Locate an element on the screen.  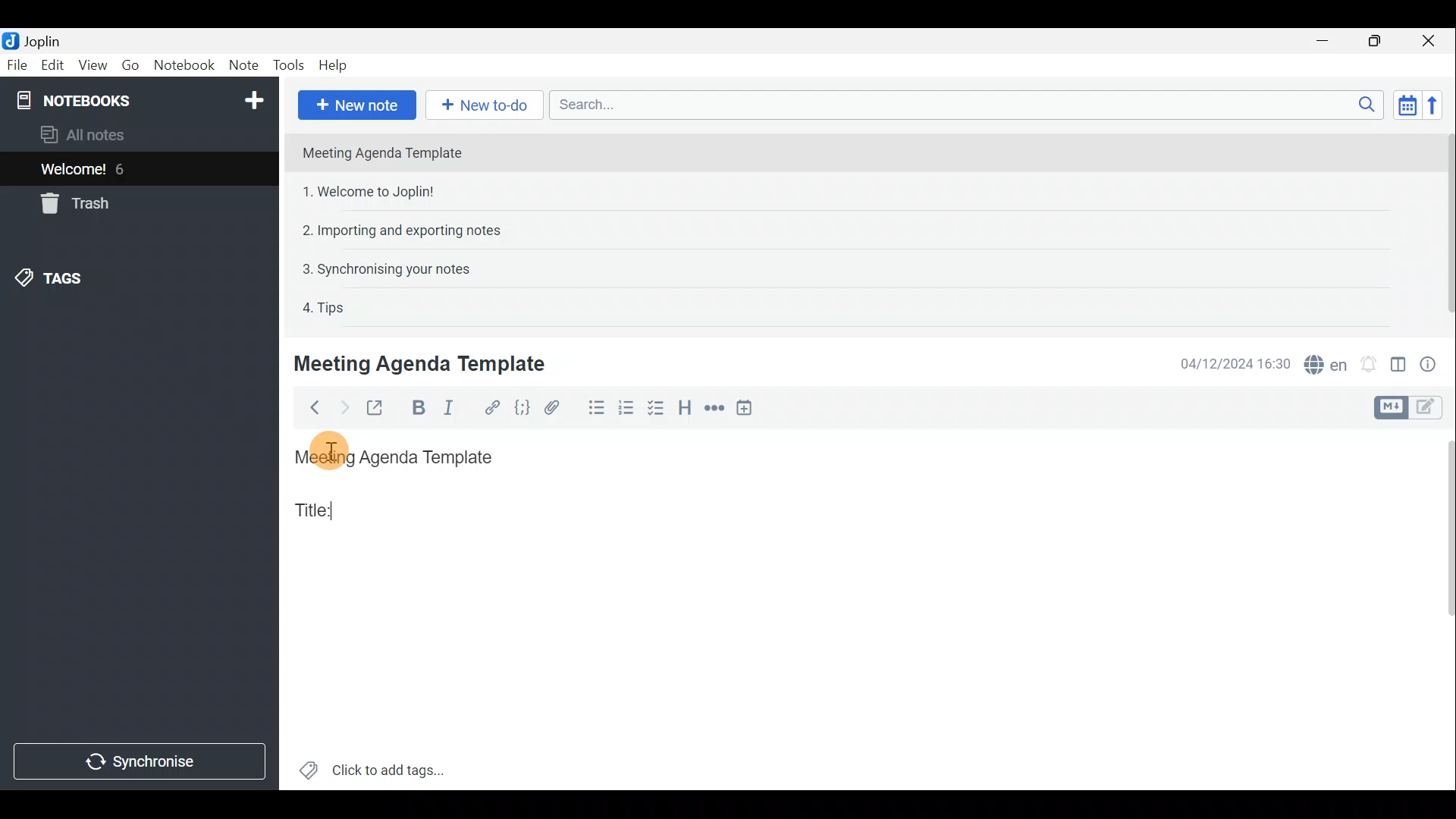
Meeting Agenda Template is located at coordinates (384, 152).